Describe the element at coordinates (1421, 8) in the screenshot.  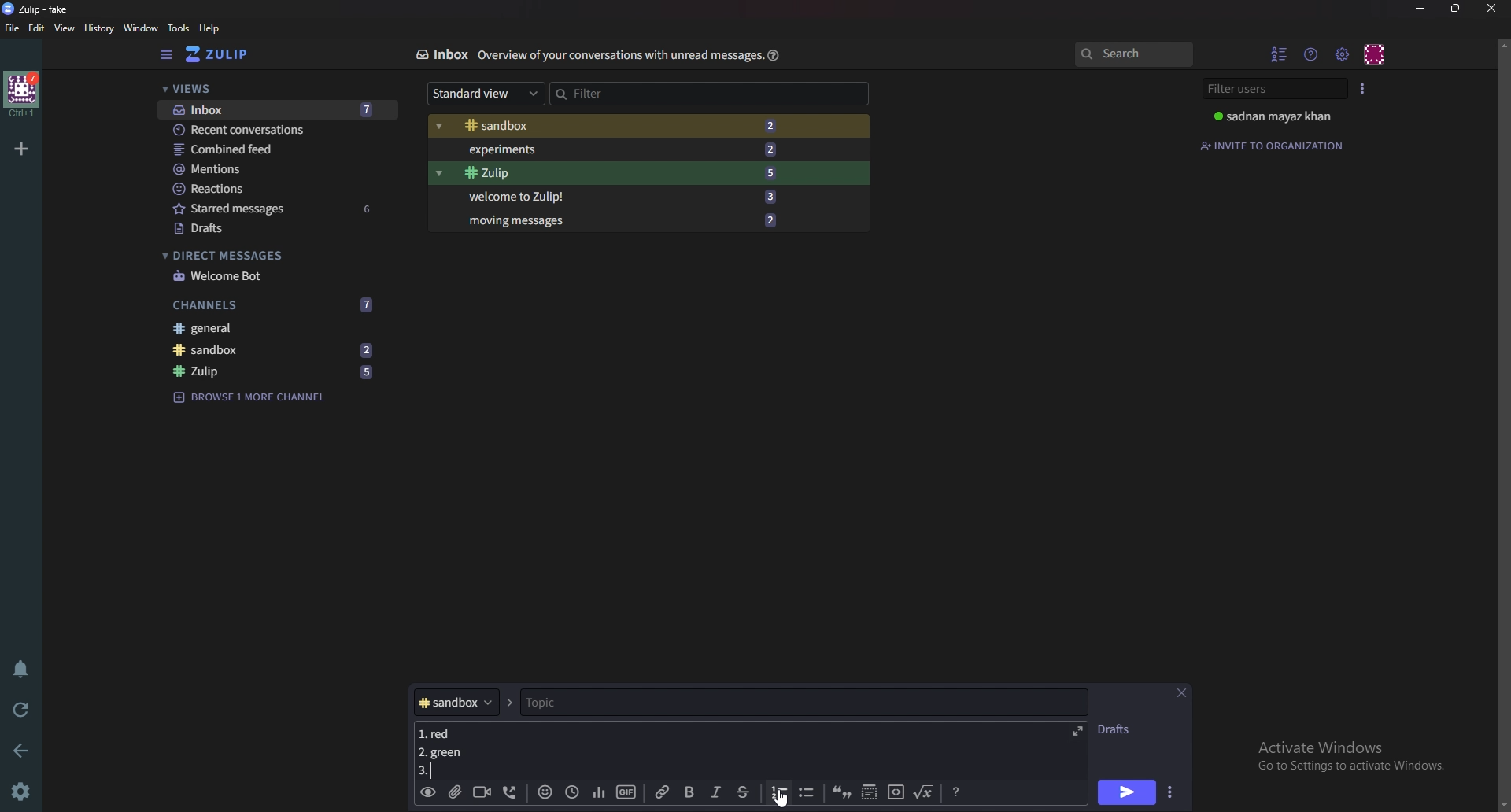
I see `Minimize` at that location.